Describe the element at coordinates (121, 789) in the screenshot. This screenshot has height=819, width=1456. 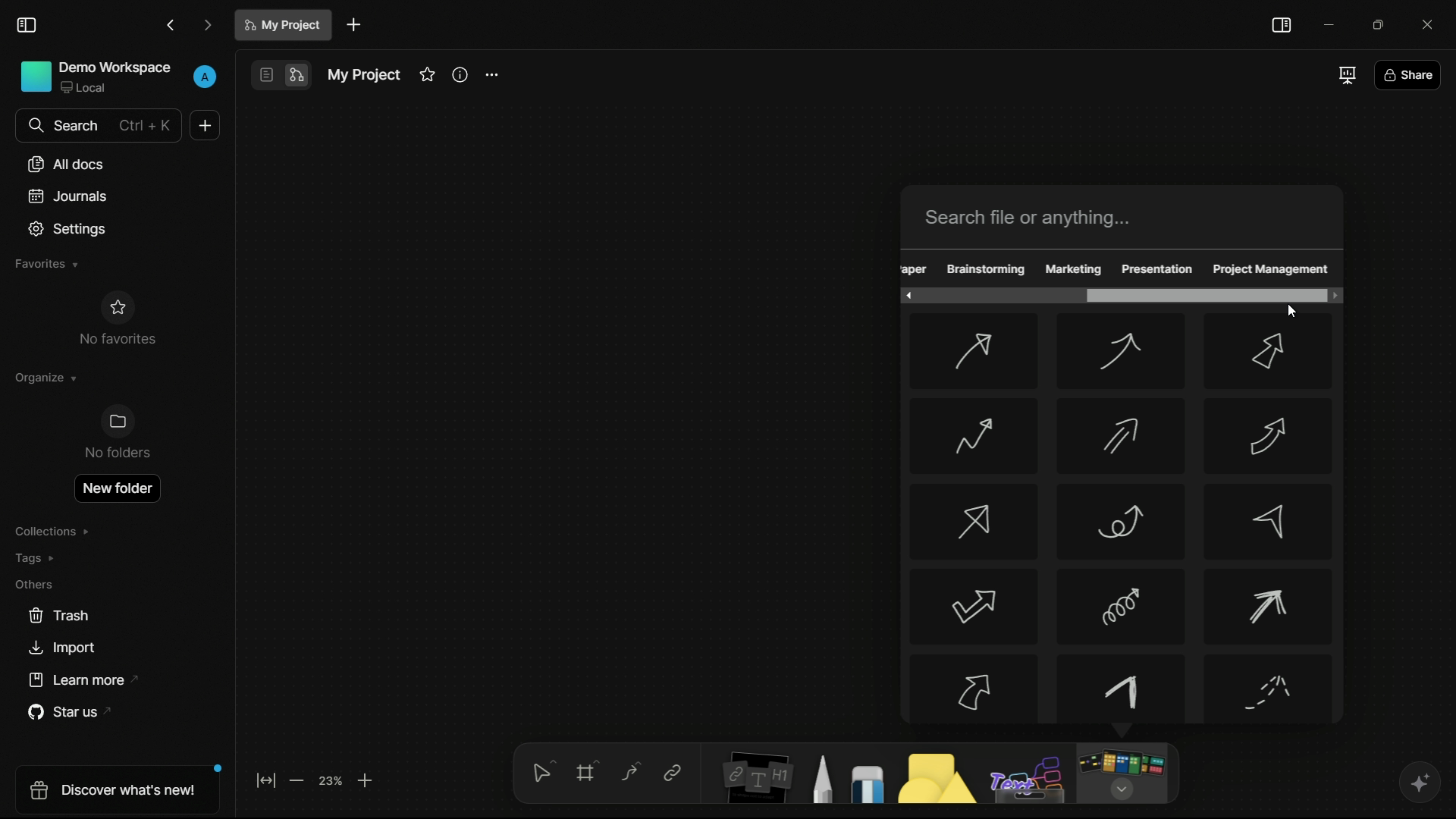
I see `discover what's new` at that location.